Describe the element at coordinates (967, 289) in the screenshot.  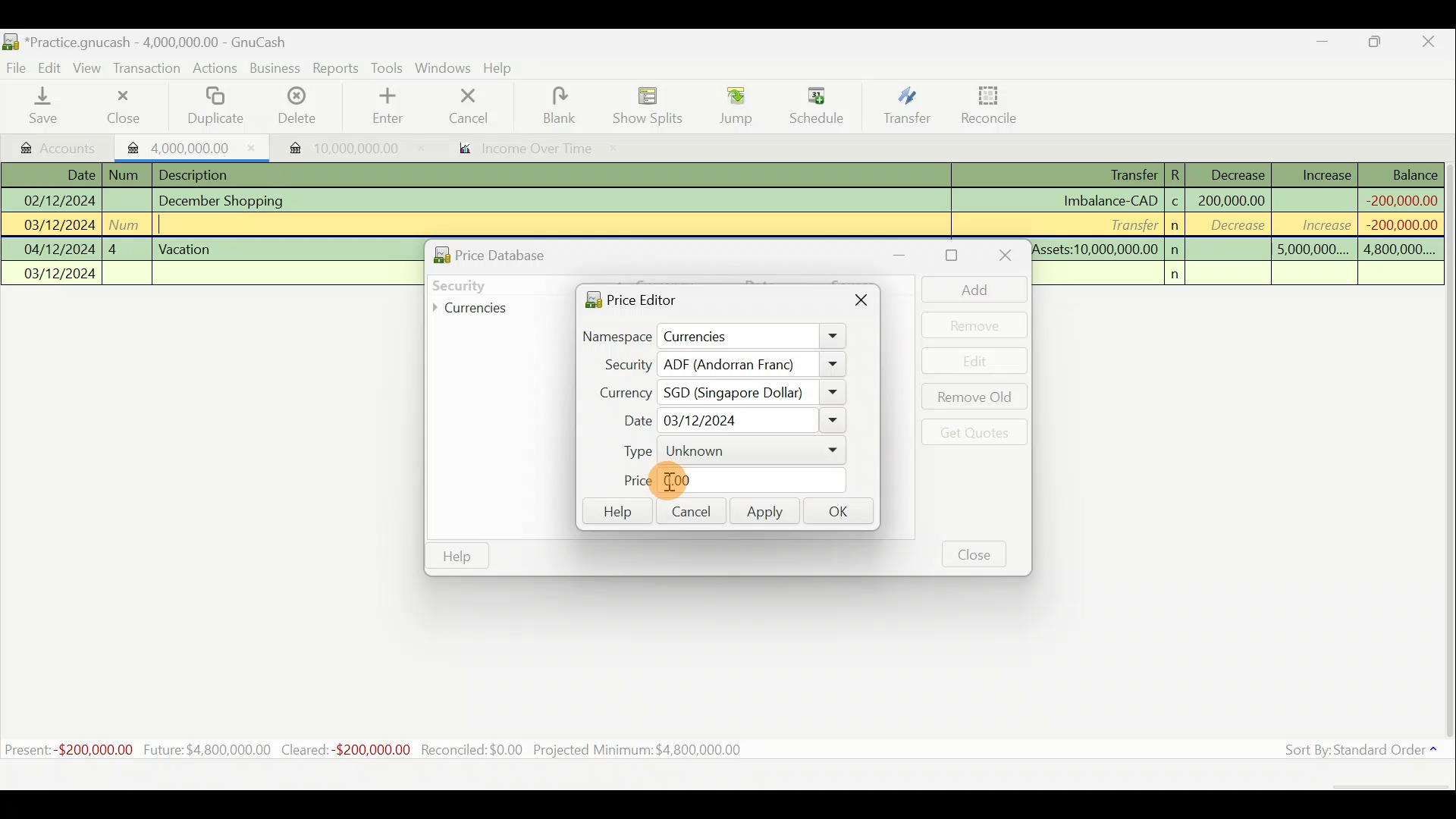
I see `Add` at that location.